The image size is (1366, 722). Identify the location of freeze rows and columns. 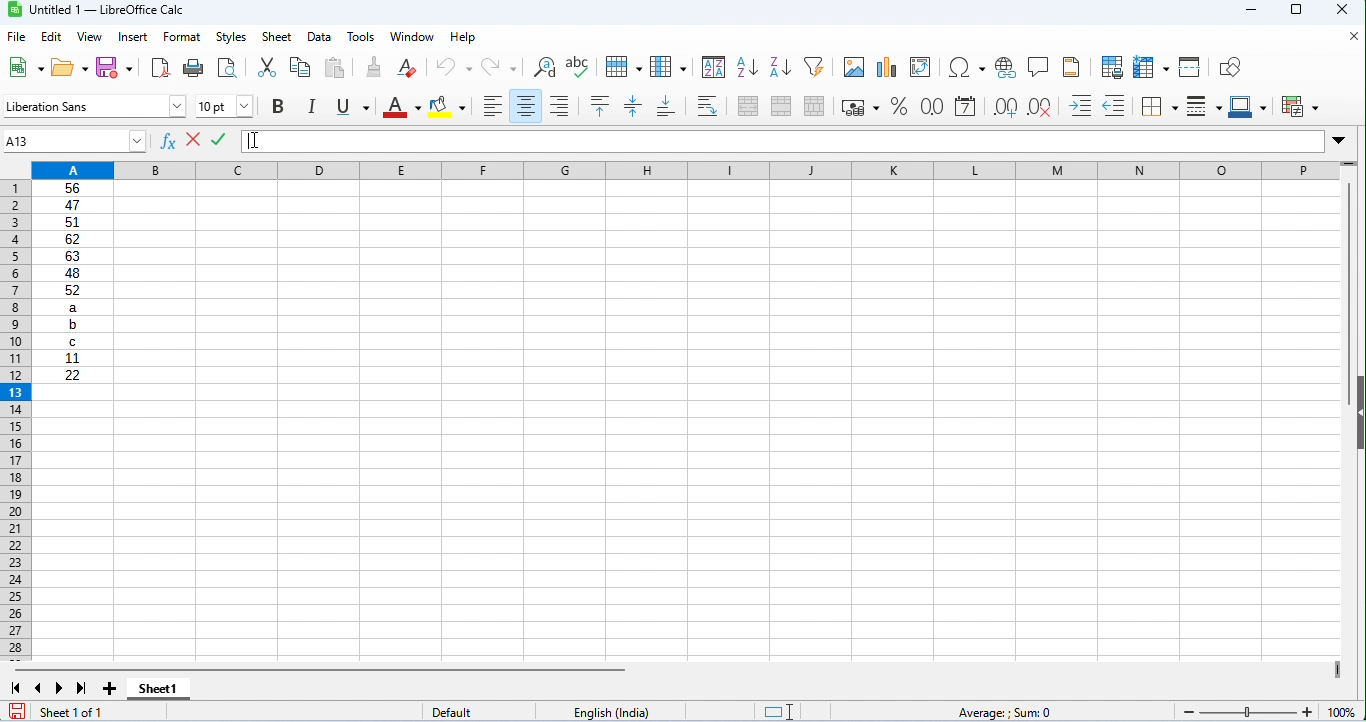
(1150, 67).